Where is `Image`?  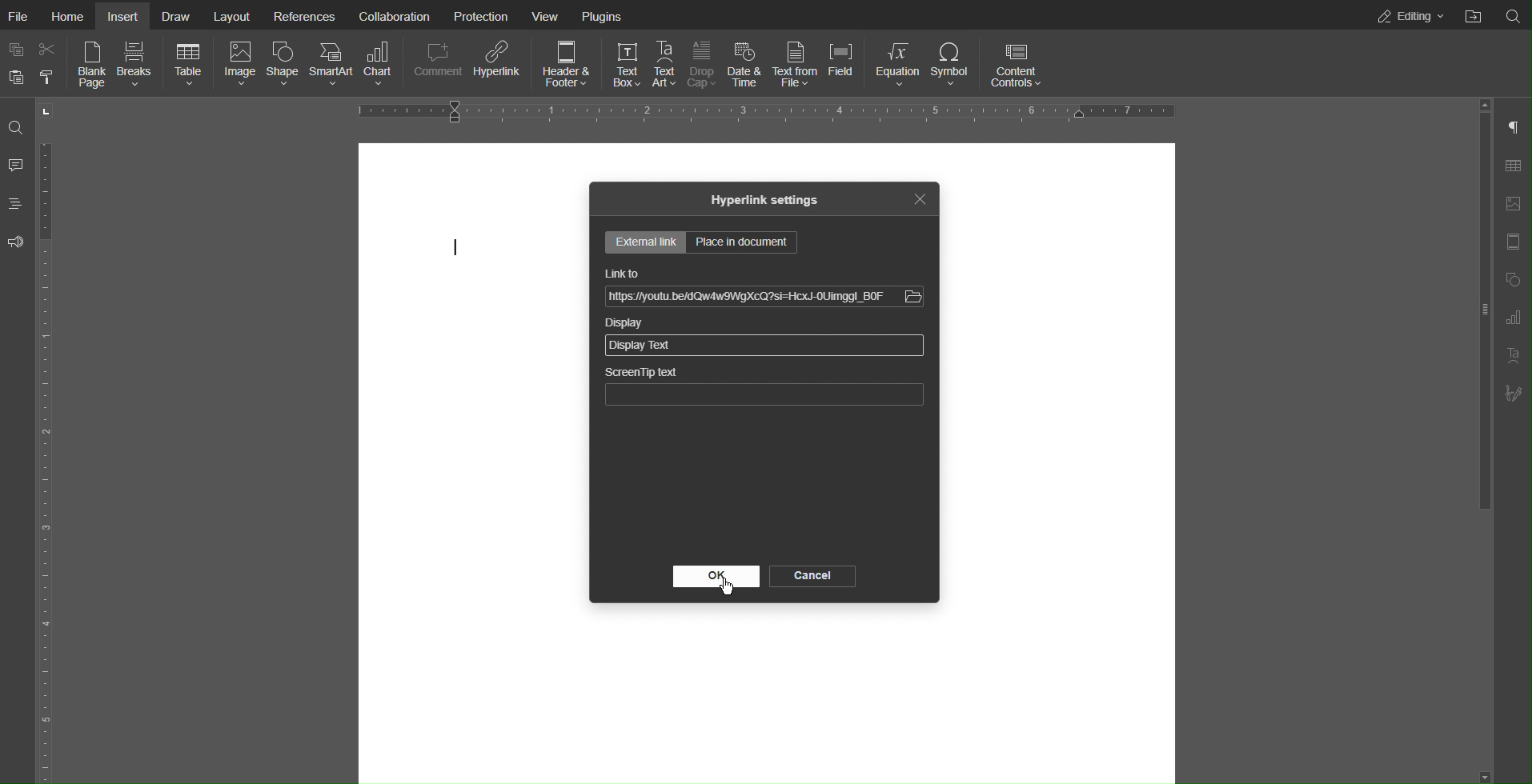
Image is located at coordinates (241, 65).